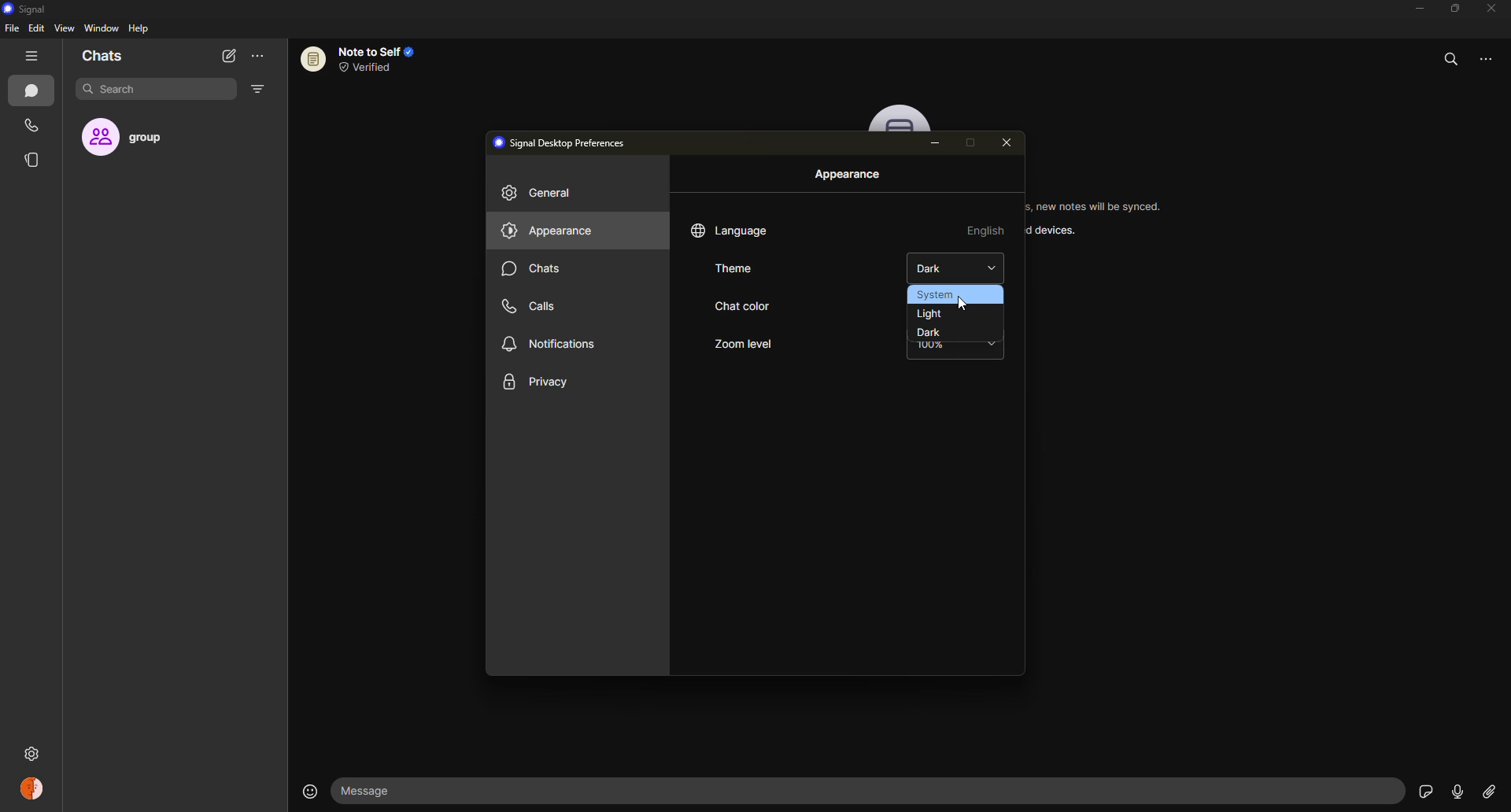 This screenshot has width=1511, height=812. I want to click on appearance, so click(549, 231).